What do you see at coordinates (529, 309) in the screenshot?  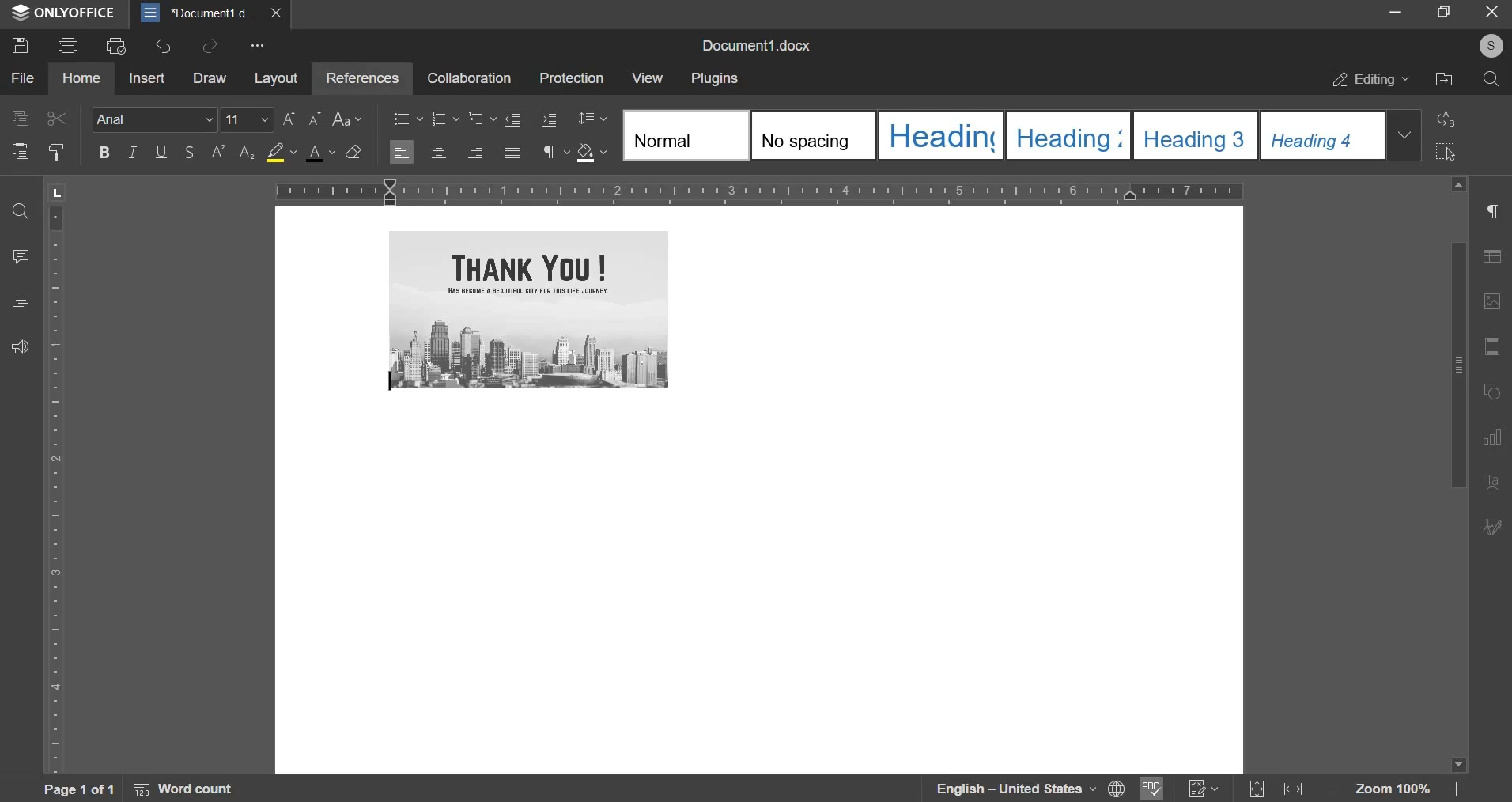 I see `image` at bounding box center [529, 309].